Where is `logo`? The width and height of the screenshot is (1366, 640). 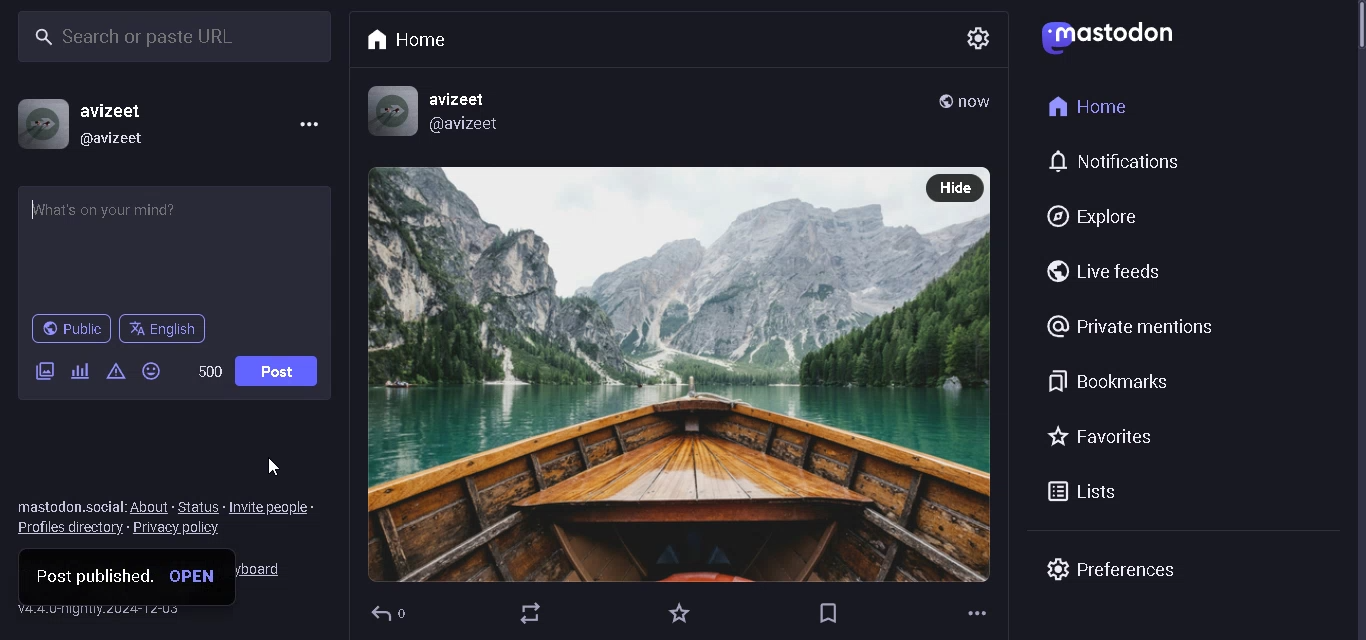 logo is located at coordinates (1106, 38).